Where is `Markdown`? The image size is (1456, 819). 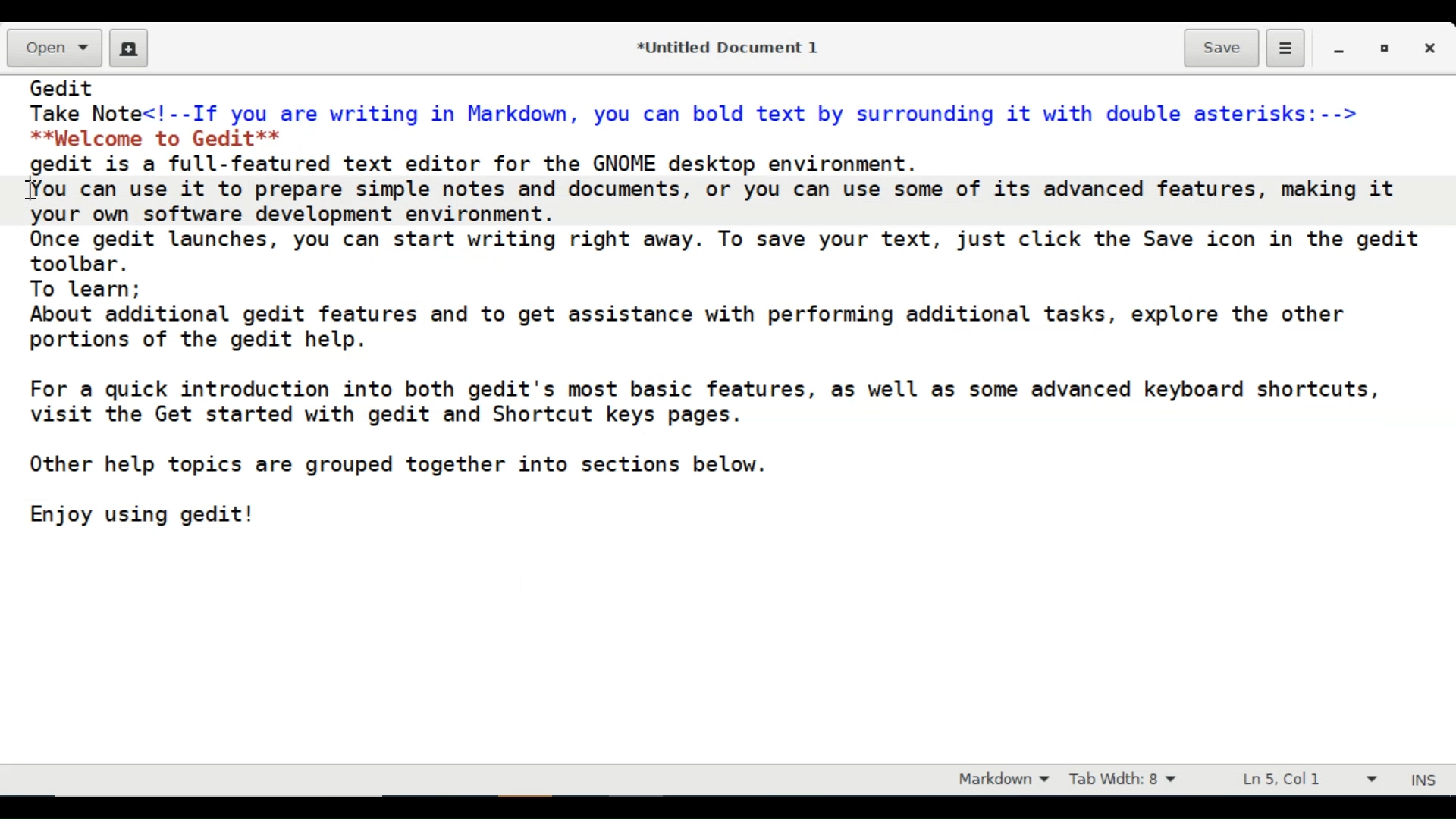 Markdown is located at coordinates (999, 780).